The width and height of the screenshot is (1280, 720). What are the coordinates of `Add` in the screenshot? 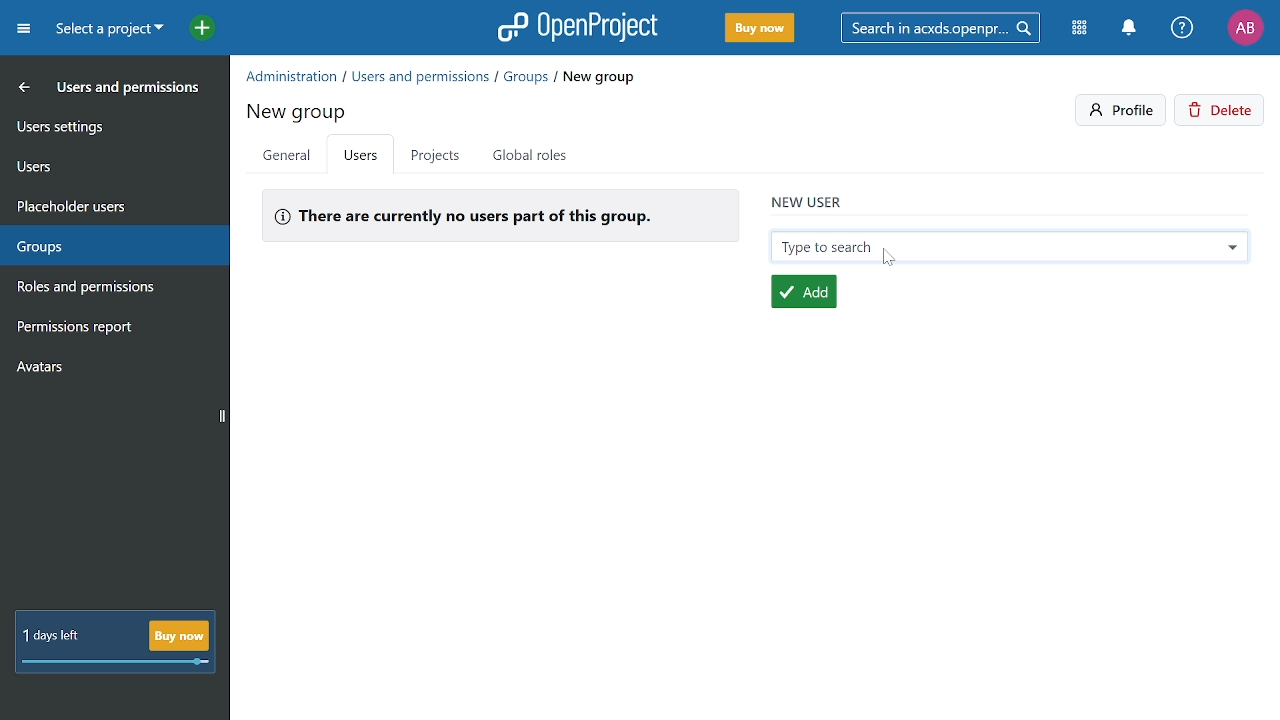 It's located at (805, 291).